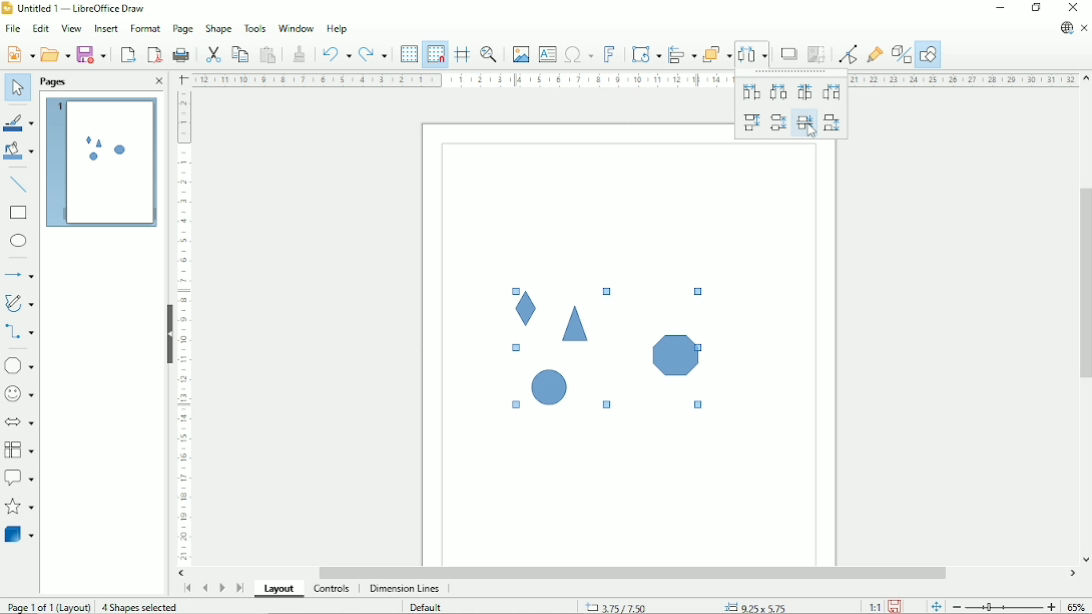  Describe the element at coordinates (268, 54) in the screenshot. I see `Paste` at that location.